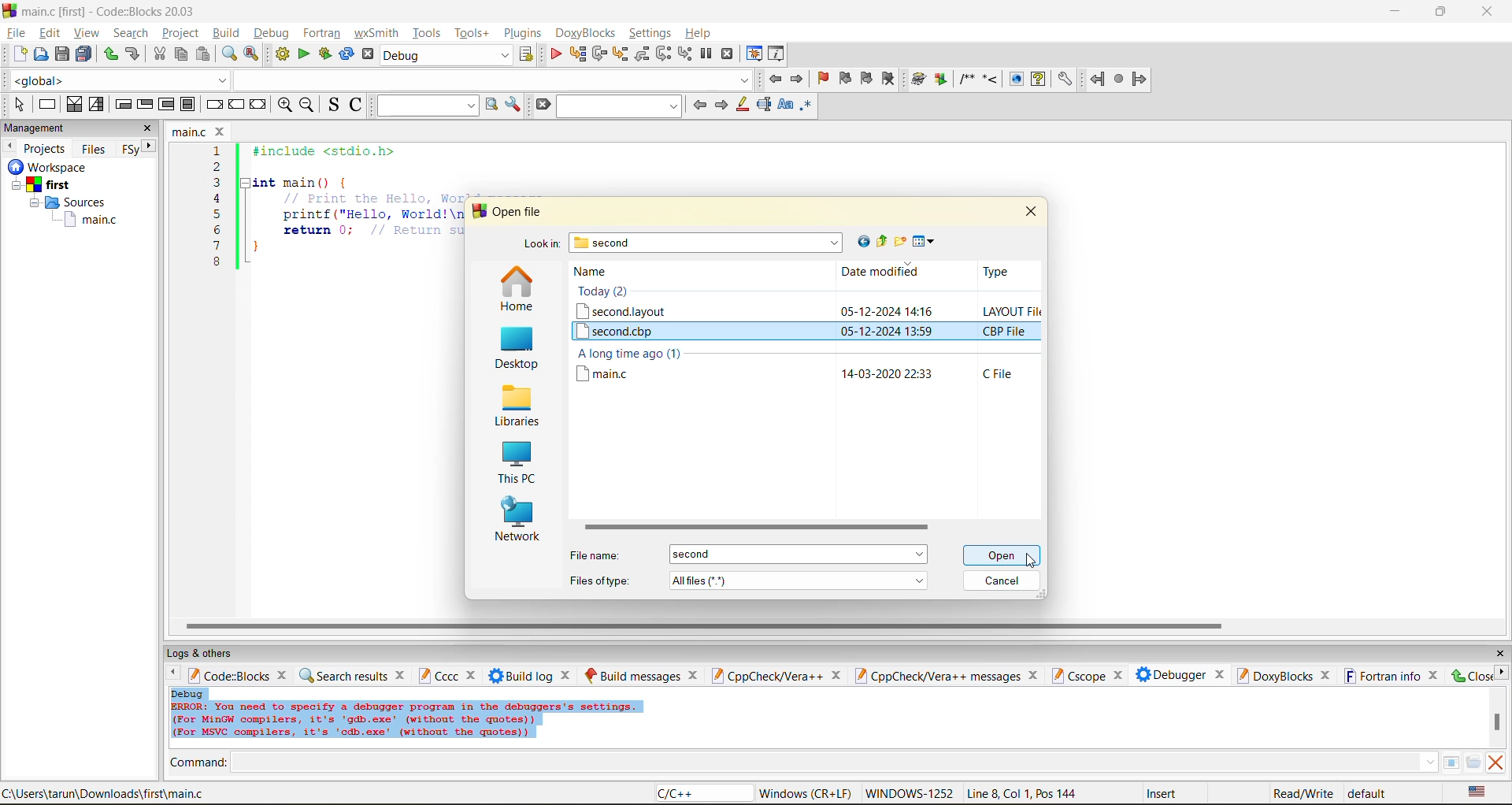 The image size is (1512, 805). I want to click on stop, so click(1120, 80).